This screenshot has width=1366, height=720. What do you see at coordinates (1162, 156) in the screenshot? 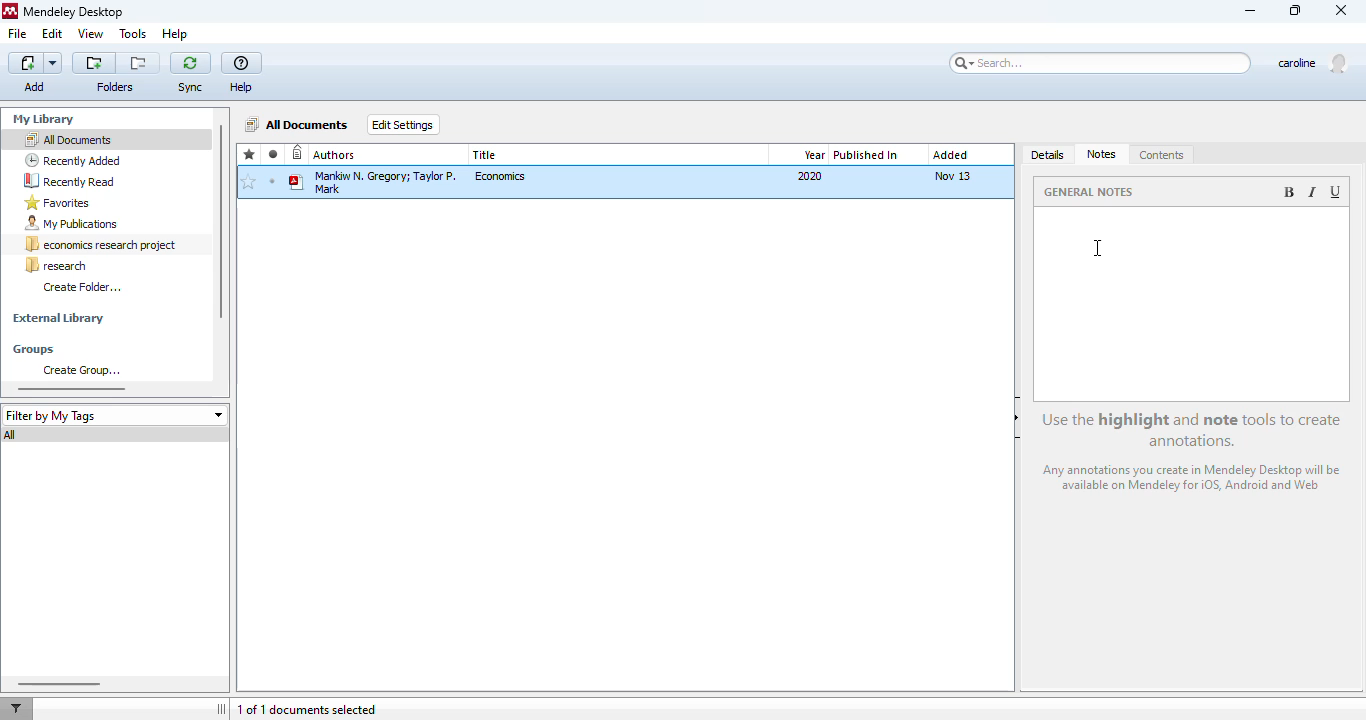
I see `contents` at bounding box center [1162, 156].